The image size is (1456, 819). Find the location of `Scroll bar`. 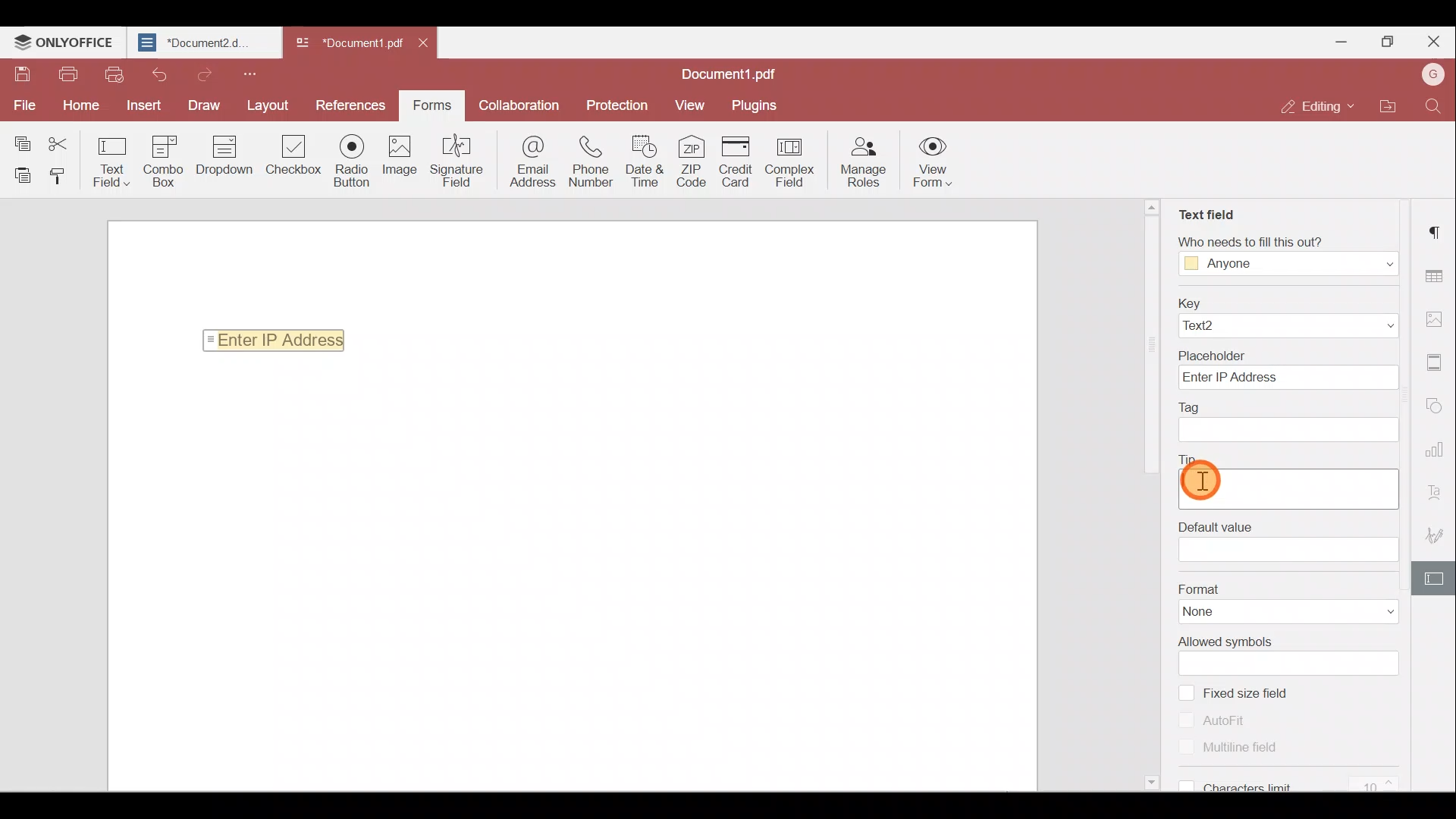

Scroll bar is located at coordinates (1145, 498).